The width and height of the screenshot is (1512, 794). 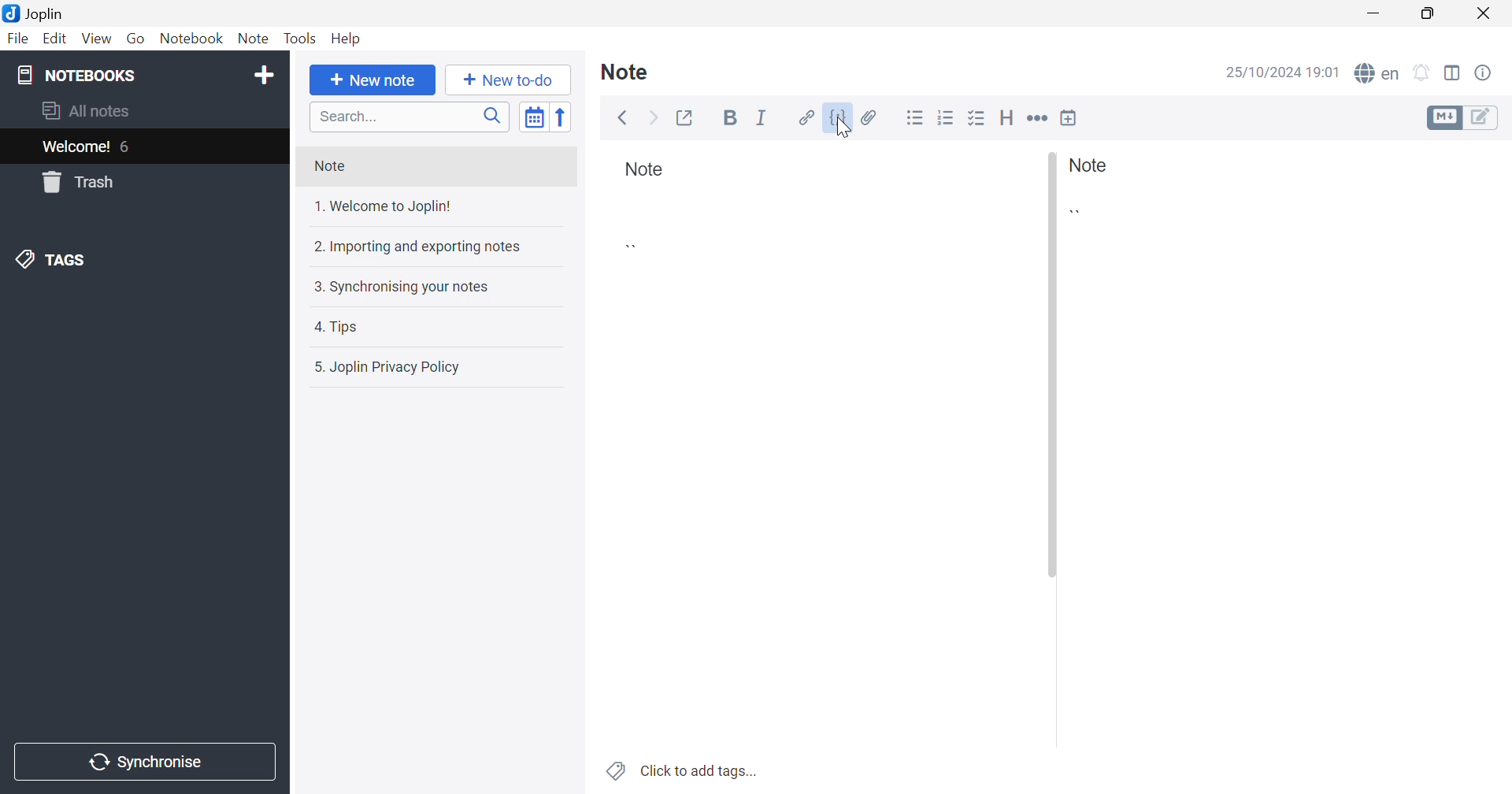 What do you see at coordinates (730, 117) in the screenshot?
I see `Bold` at bounding box center [730, 117].